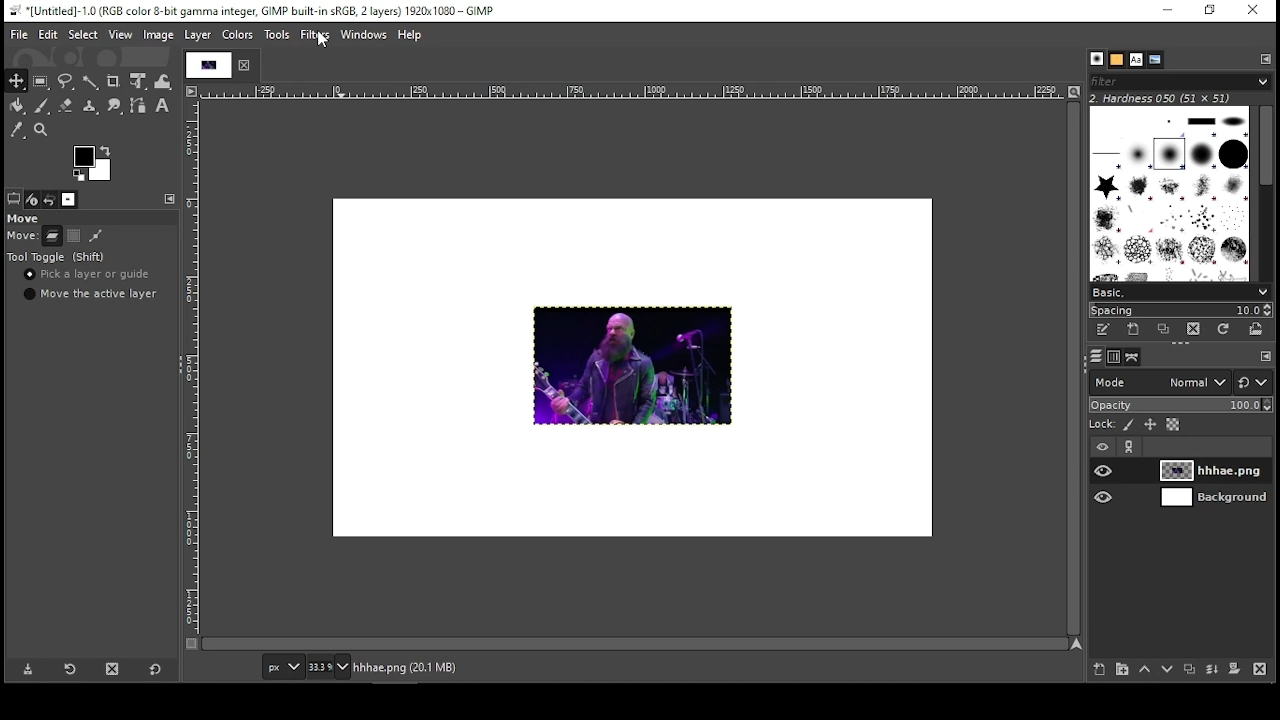  What do you see at coordinates (92, 107) in the screenshot?
I see `heal tool` at bounding box center [92, 107].